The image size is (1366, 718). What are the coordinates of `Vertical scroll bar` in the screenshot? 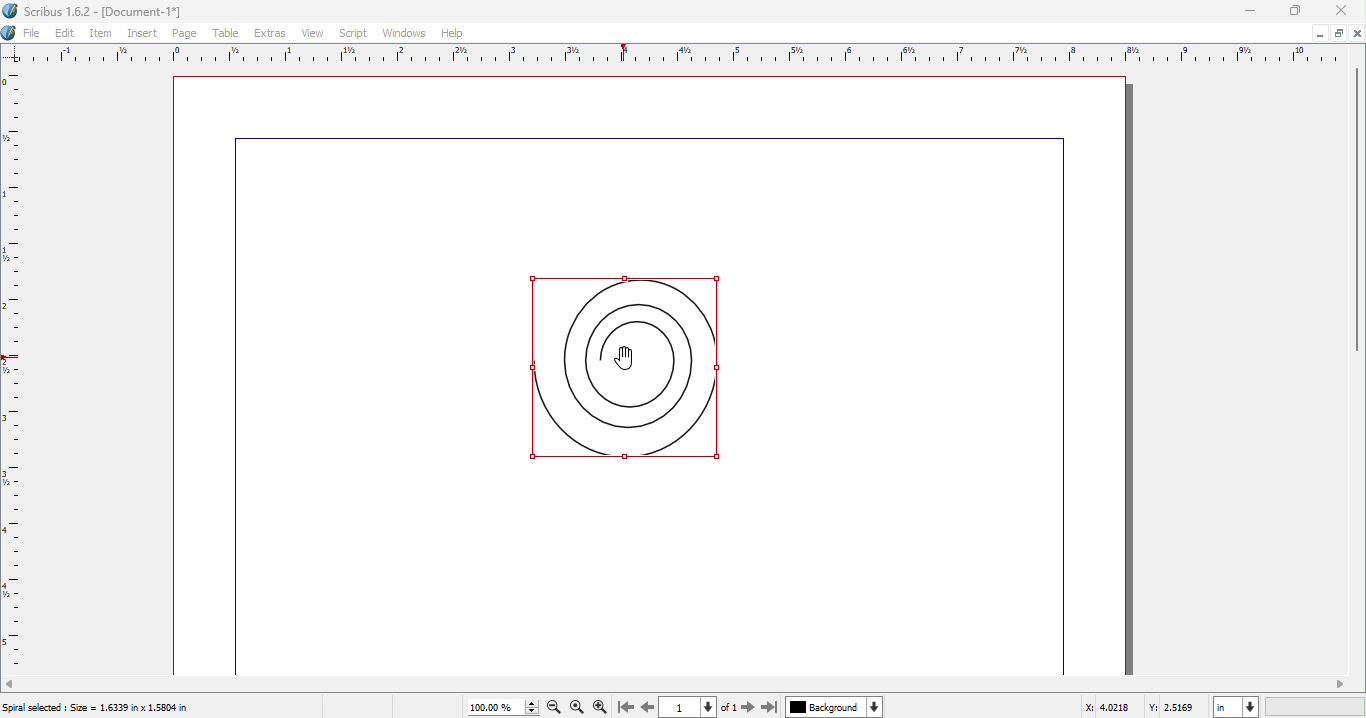 It's located at (1358, 207).